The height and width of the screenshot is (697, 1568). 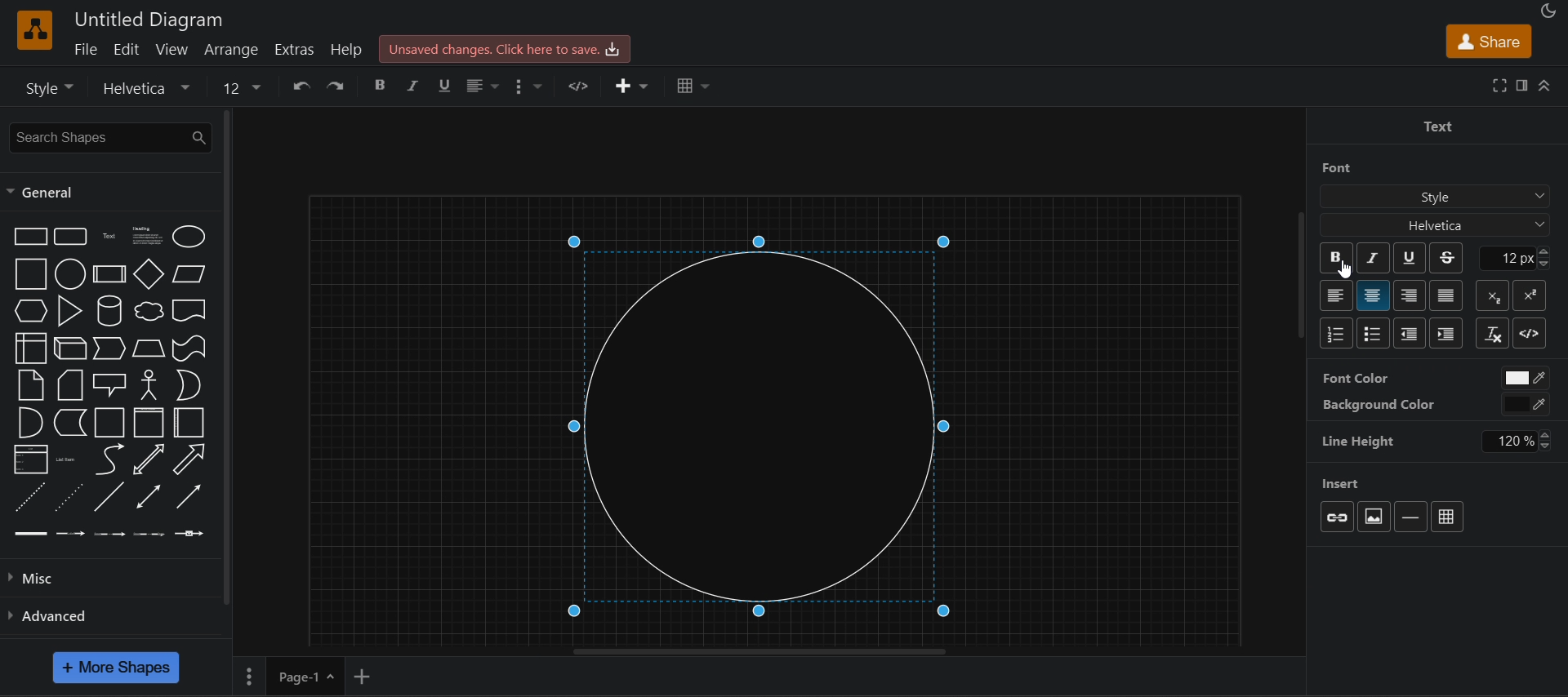 What do you see at coordinates (581, 85) in the screenshot?
I see `HTML` at bounding box center [581, 85].